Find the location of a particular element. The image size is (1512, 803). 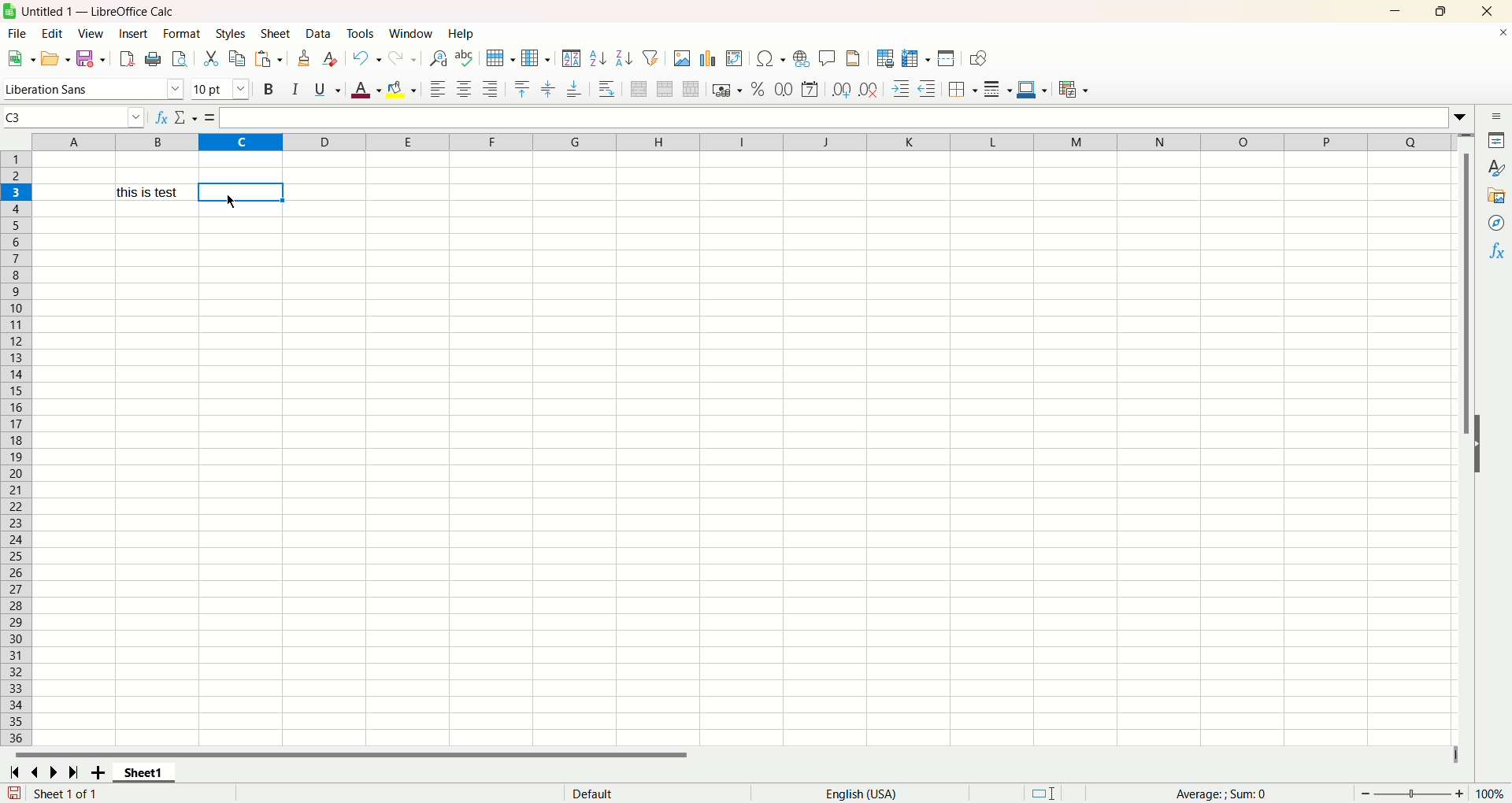

insert is located at coordinates (134, 33).